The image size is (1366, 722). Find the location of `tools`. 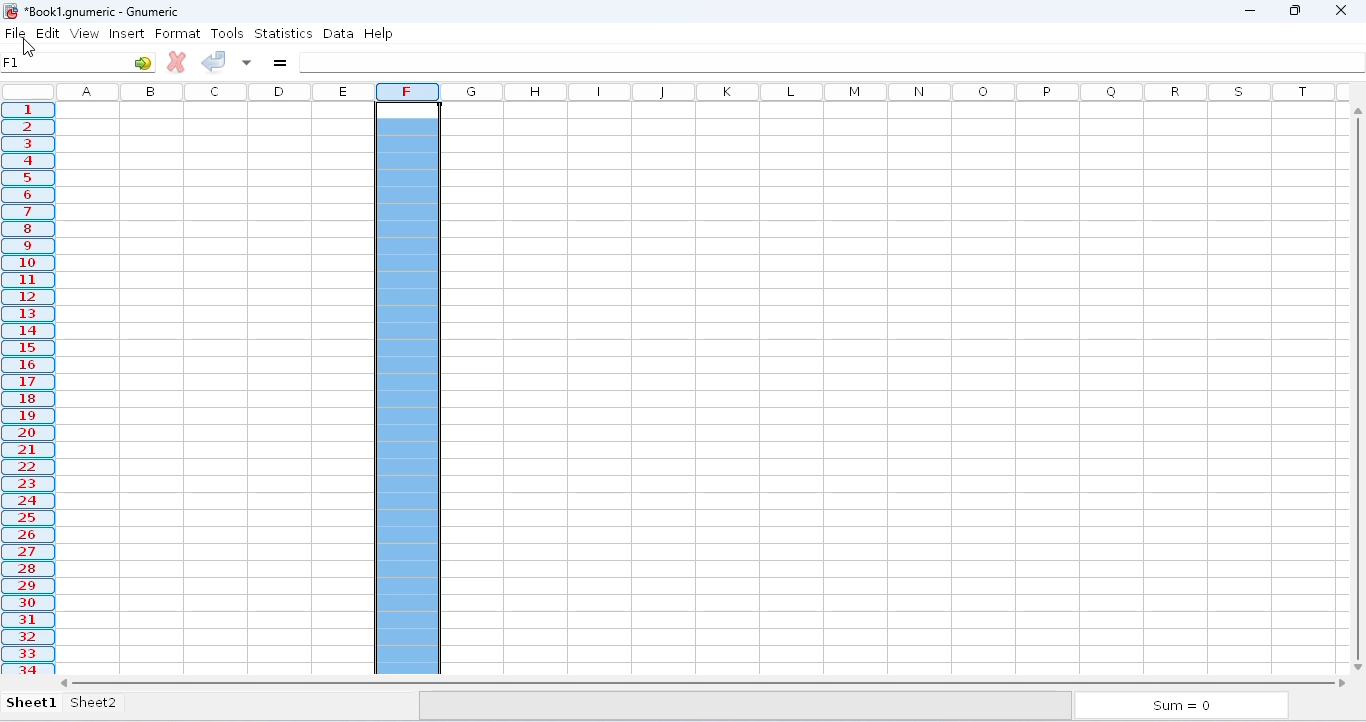

tools is located at coordinates (227, 32).